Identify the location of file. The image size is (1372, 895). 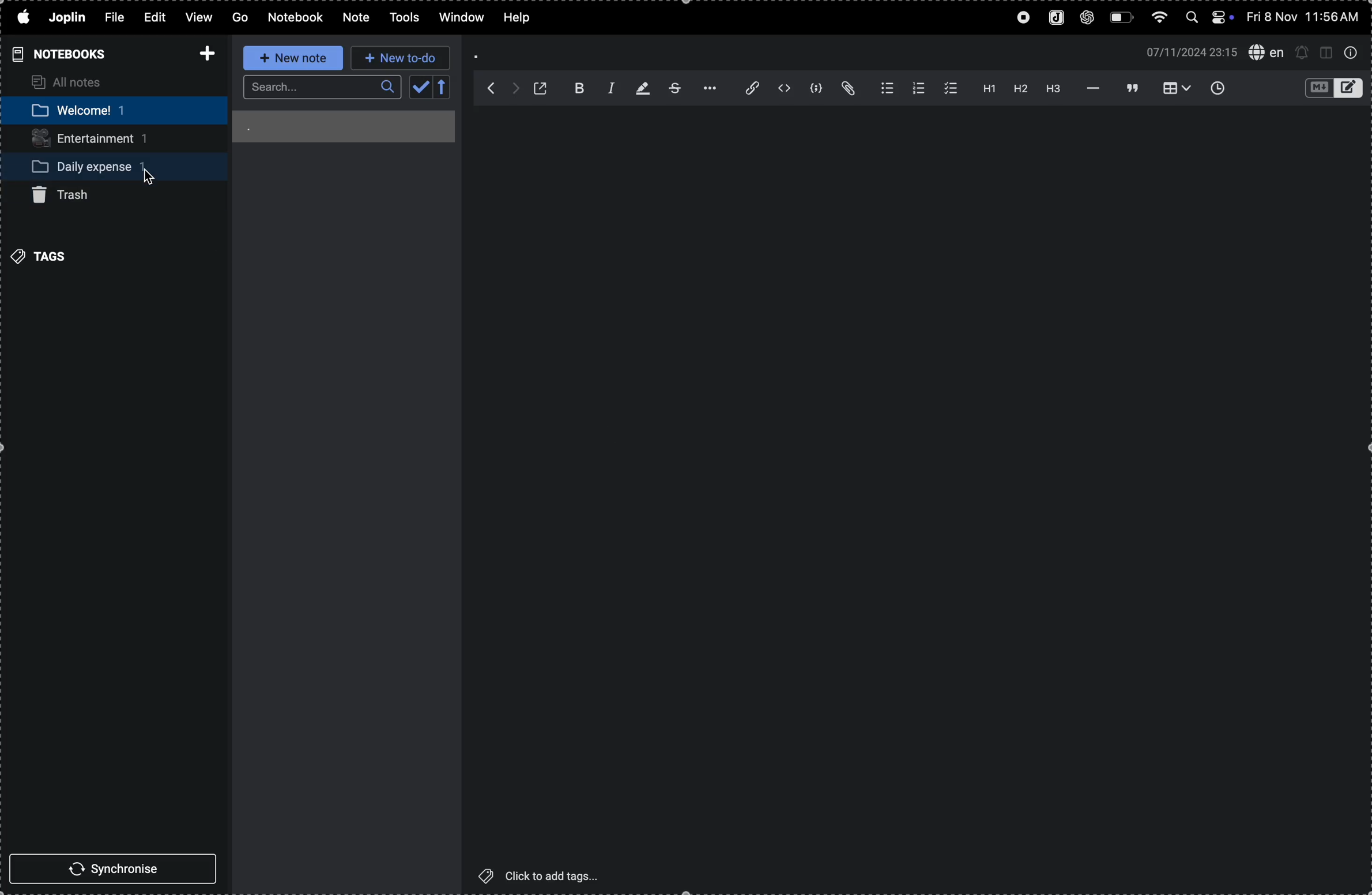
(112, 18).